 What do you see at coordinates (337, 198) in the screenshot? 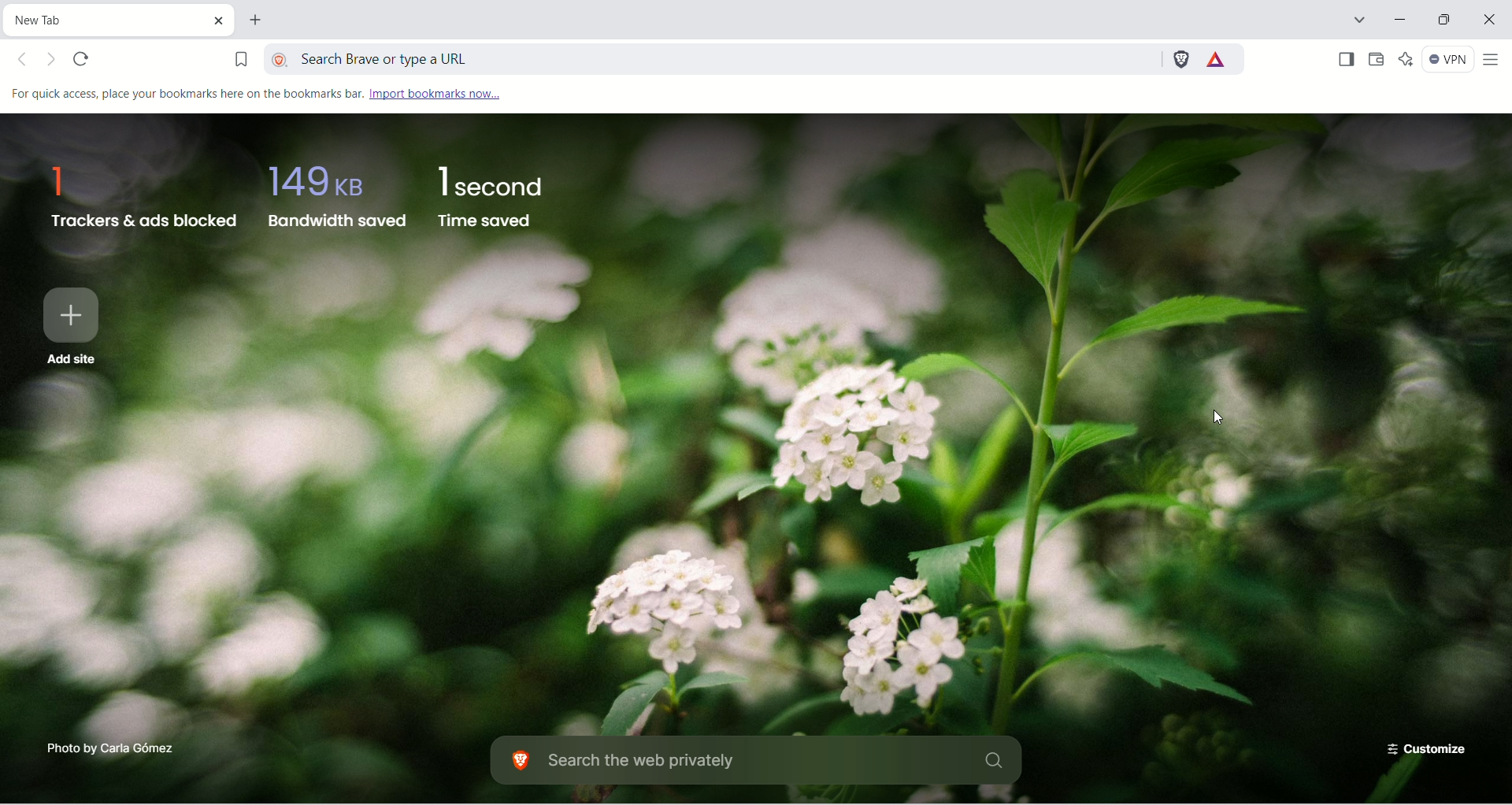
I see `149KB bandwidth saved` at bounding box center [337, 198].